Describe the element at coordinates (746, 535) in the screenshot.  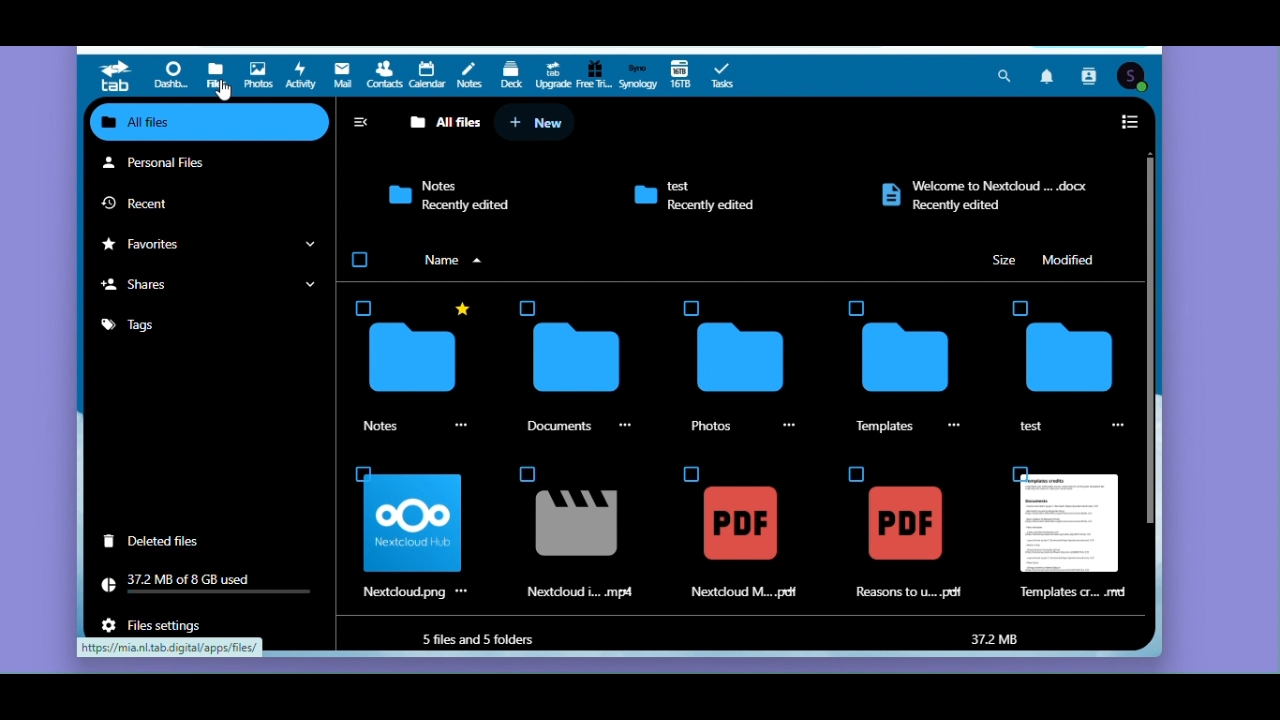
I see `nextcloud.pdf` at that location.